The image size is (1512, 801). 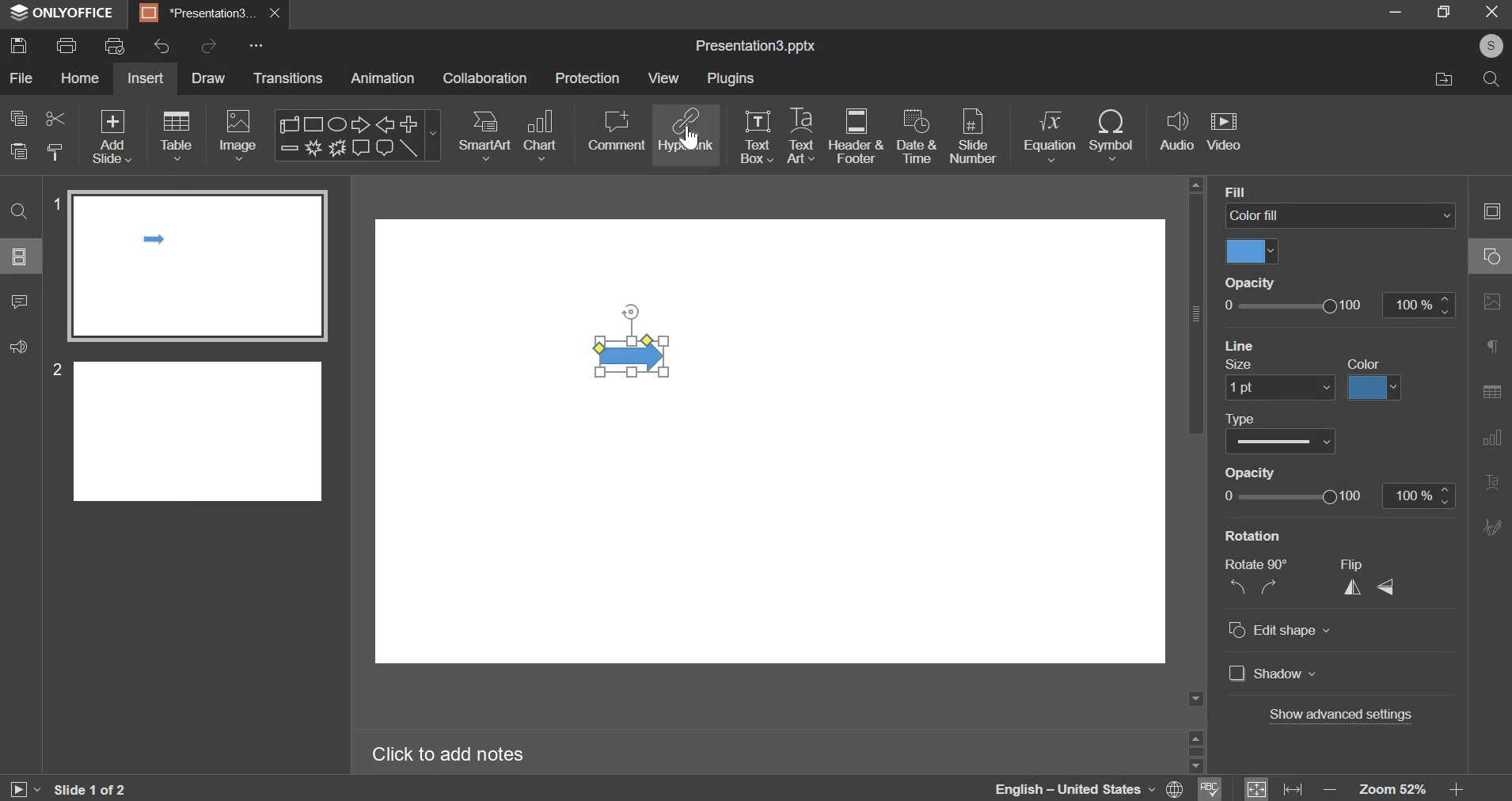 What do you see at coordinates (1052, 788) in the screenshot?
I see `language` at bounding box center [1052, 788].